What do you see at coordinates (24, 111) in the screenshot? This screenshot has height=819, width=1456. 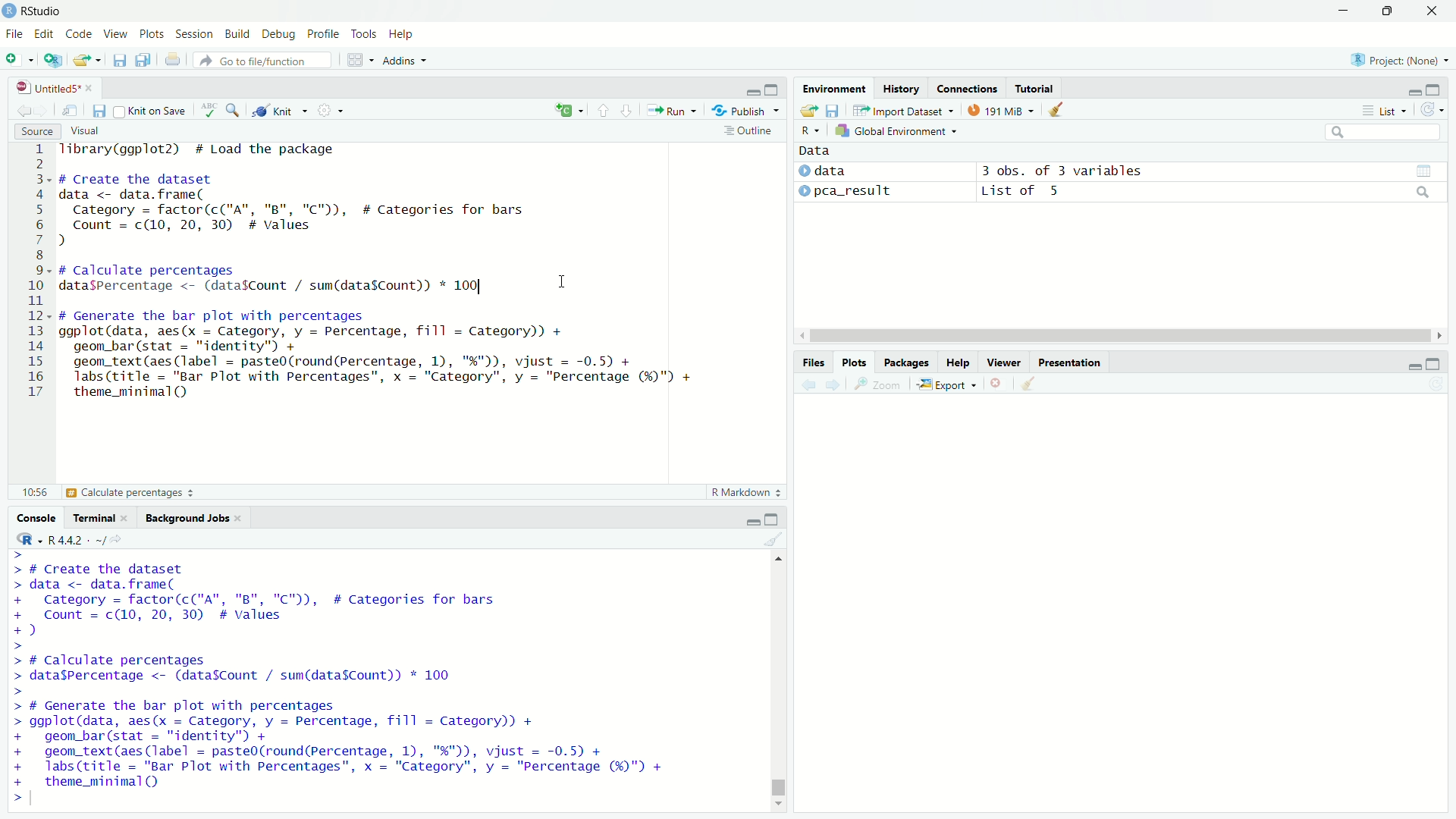 I see `go back` at bounding box center [24, 111].